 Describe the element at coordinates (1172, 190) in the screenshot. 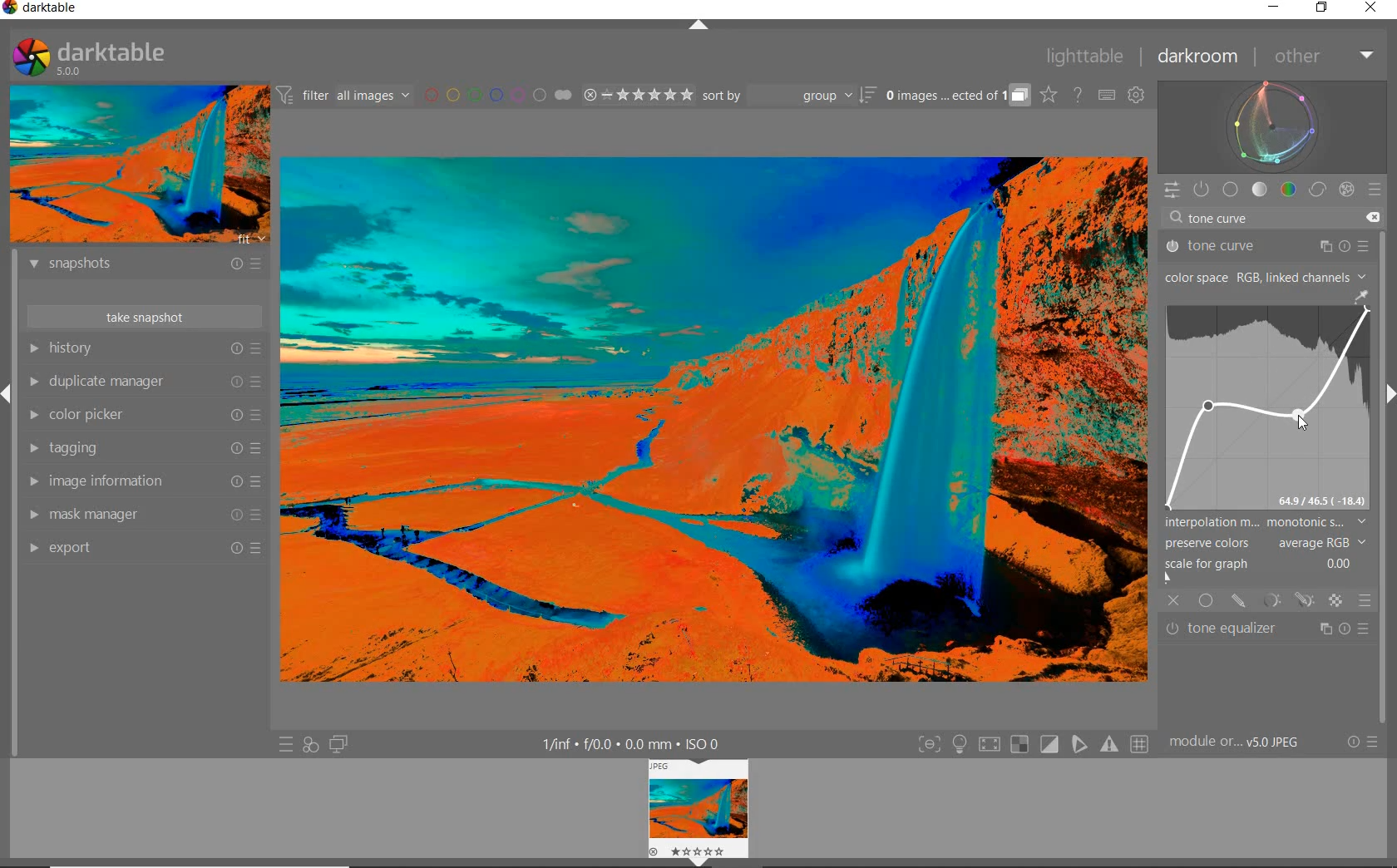

I see `QUICK ACCESS PANEL` at that location.